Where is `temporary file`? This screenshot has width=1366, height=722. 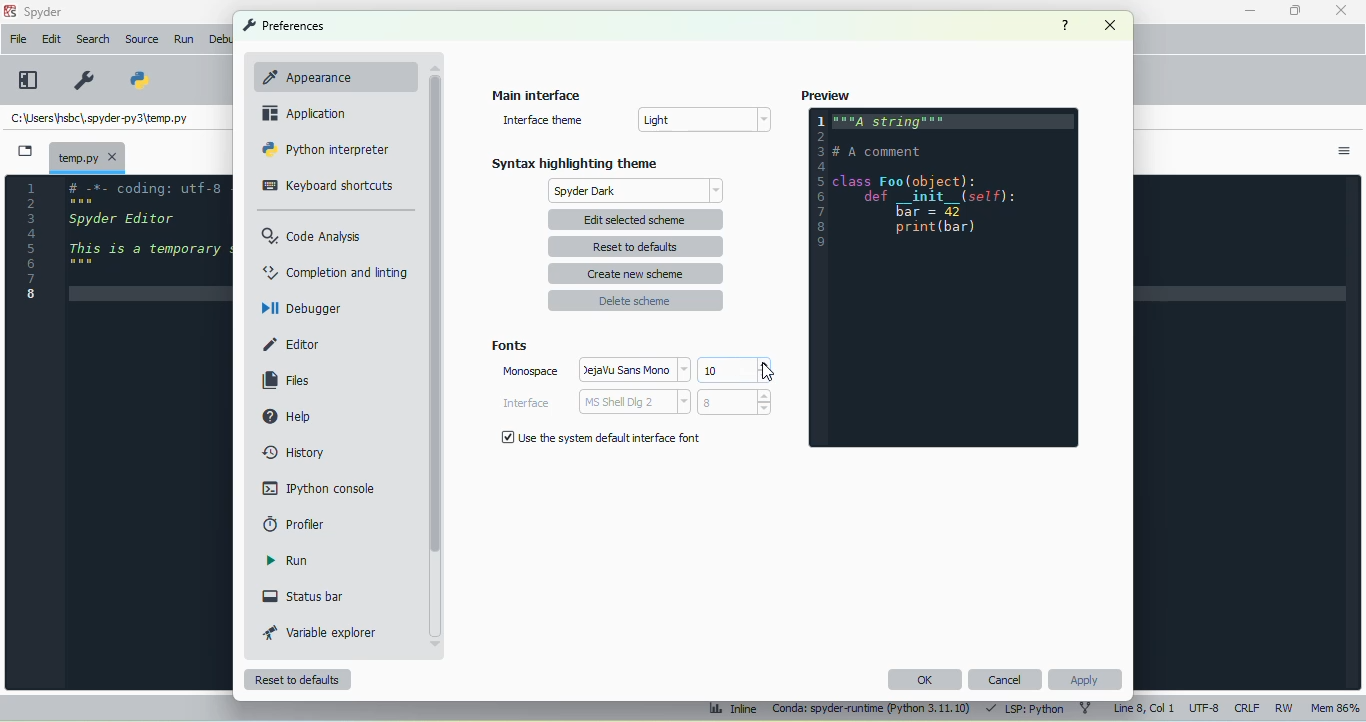
temporary file is located at coordinates (87, 156).